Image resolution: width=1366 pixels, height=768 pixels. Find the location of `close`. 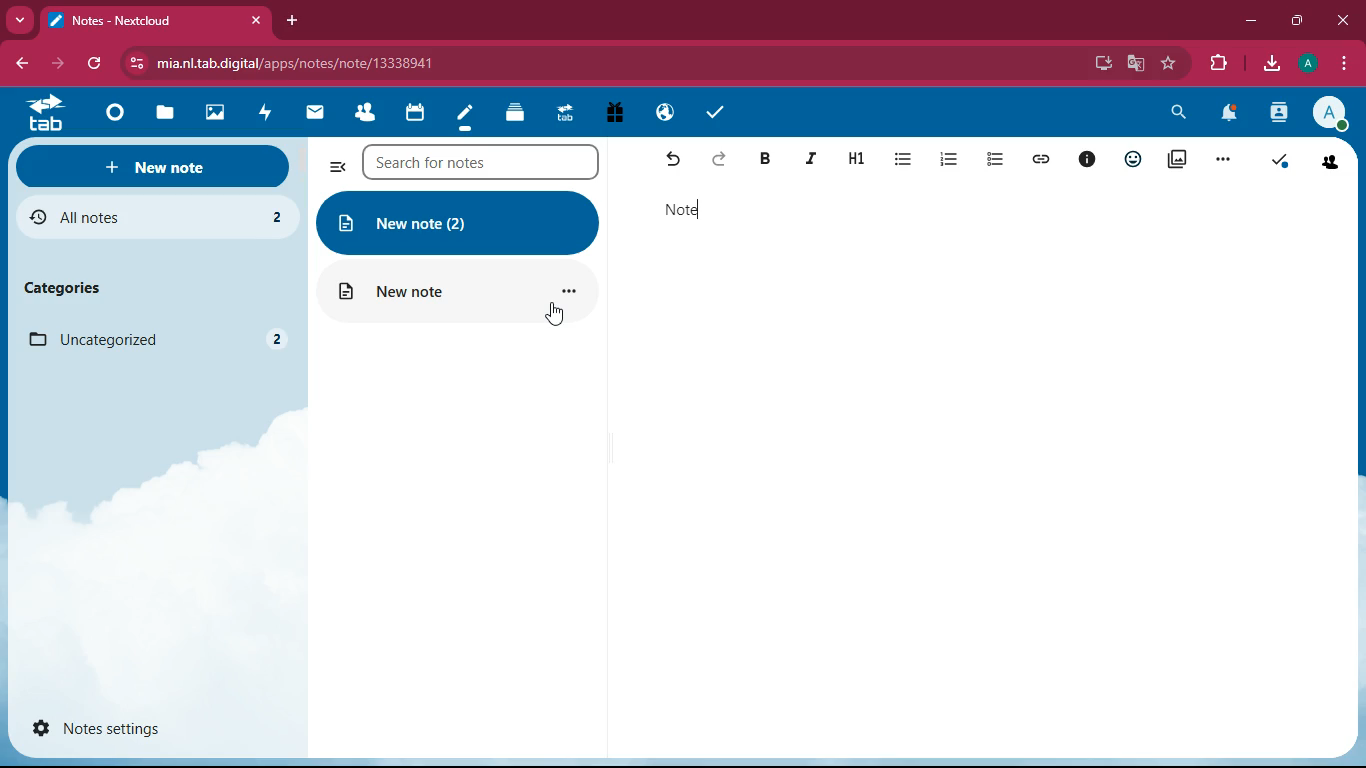

close is located at coordinates (258, 21).